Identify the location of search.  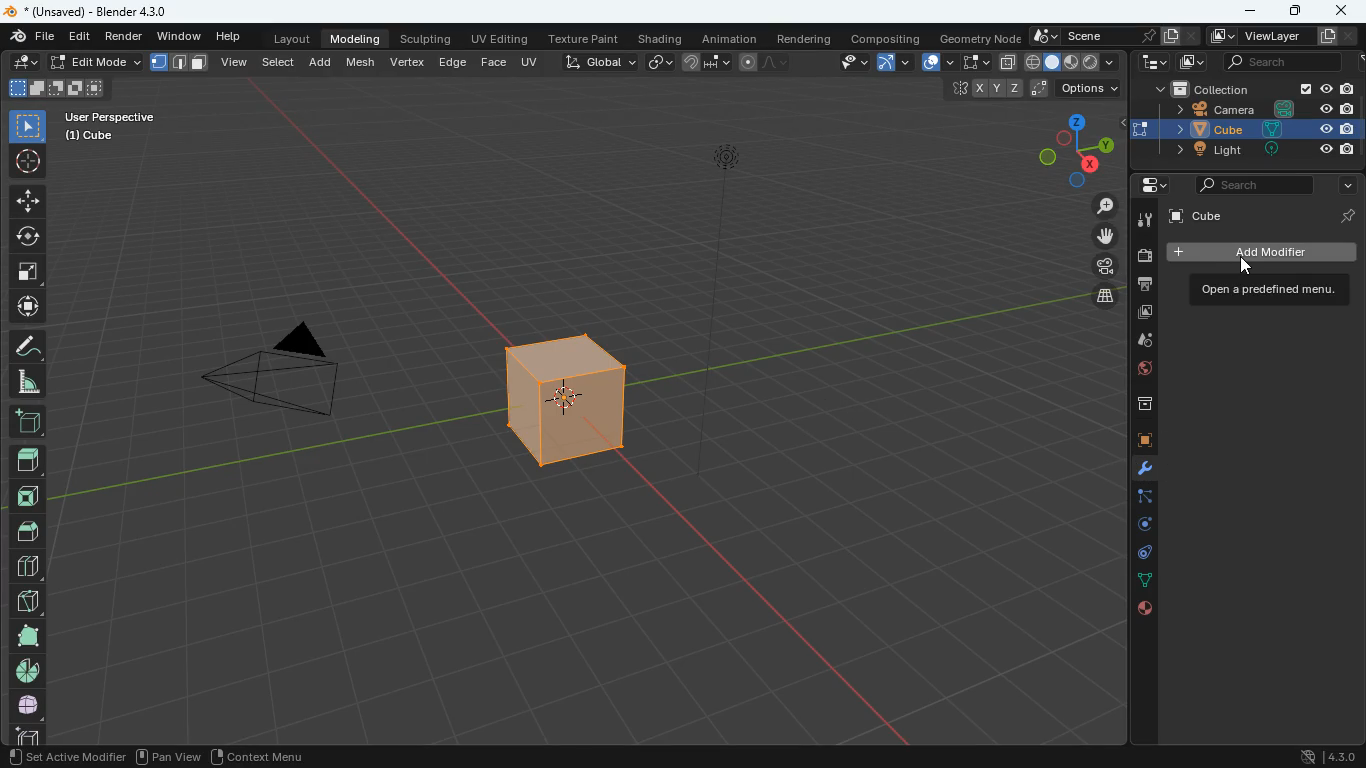
(1250, 185).